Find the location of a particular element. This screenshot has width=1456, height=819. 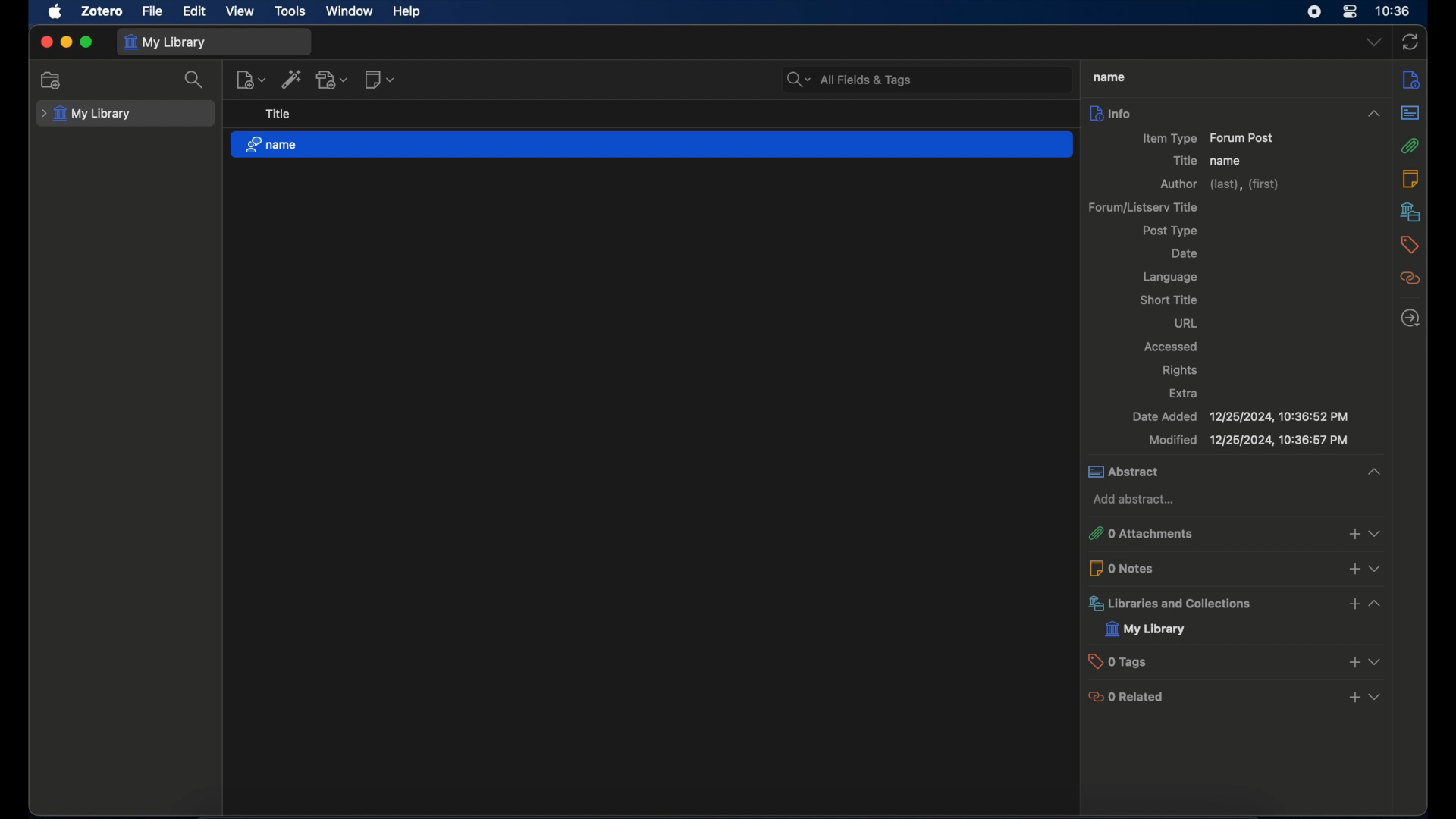

modified is located at coordinates (1247, 440).